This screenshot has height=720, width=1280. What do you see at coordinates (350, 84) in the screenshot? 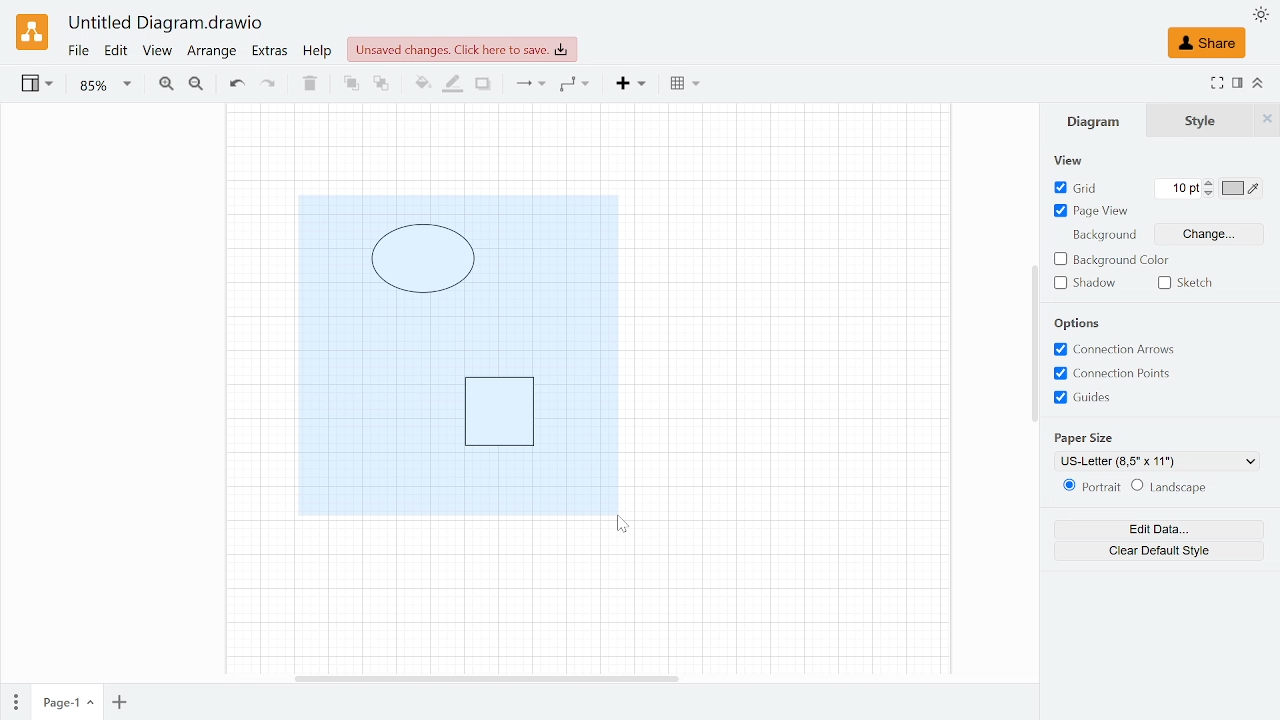
I see `TO front` at bounding box center [350, 84].